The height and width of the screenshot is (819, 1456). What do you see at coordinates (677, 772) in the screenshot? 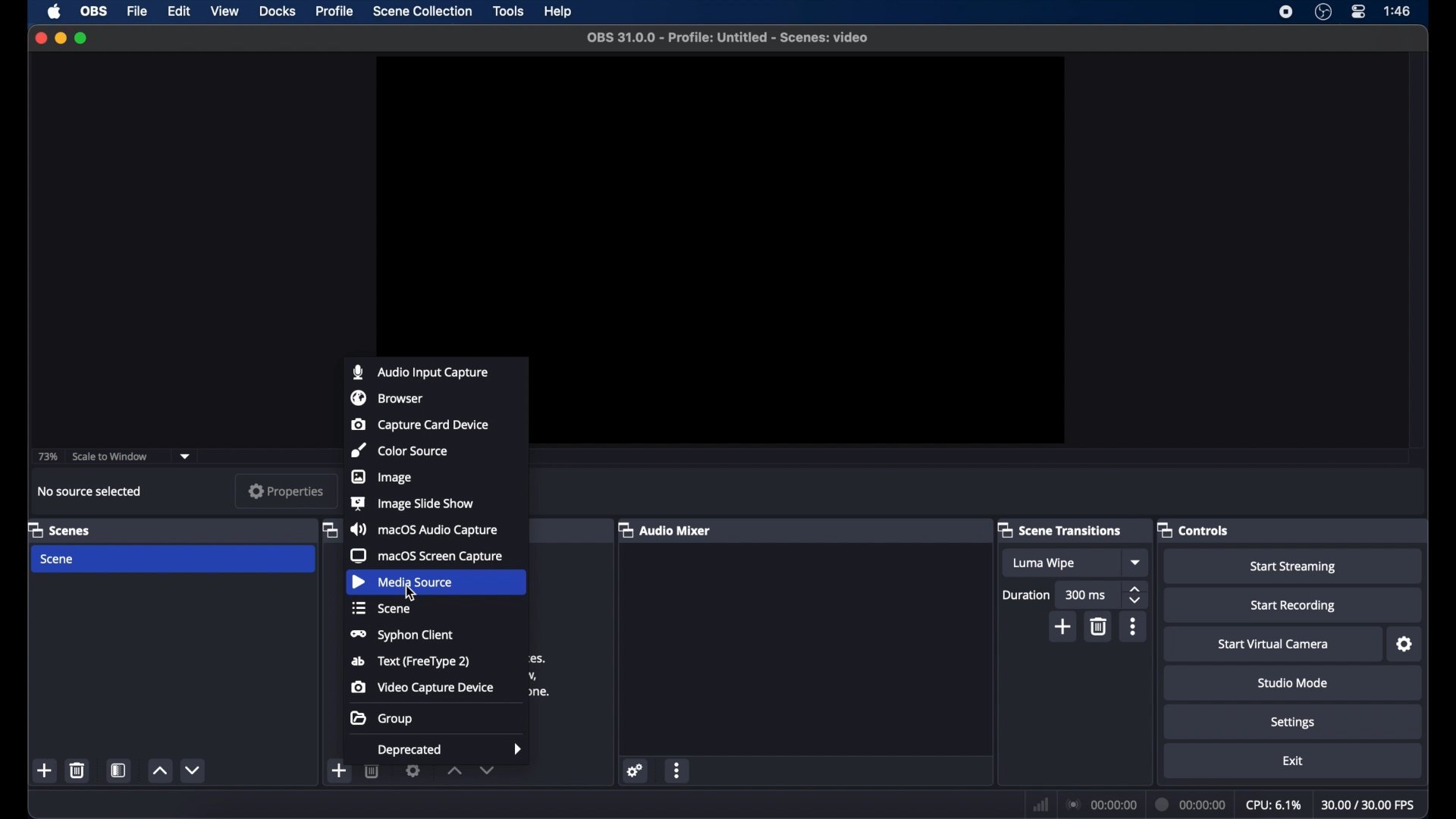
I see `more options` at bounding box center [677, 772].